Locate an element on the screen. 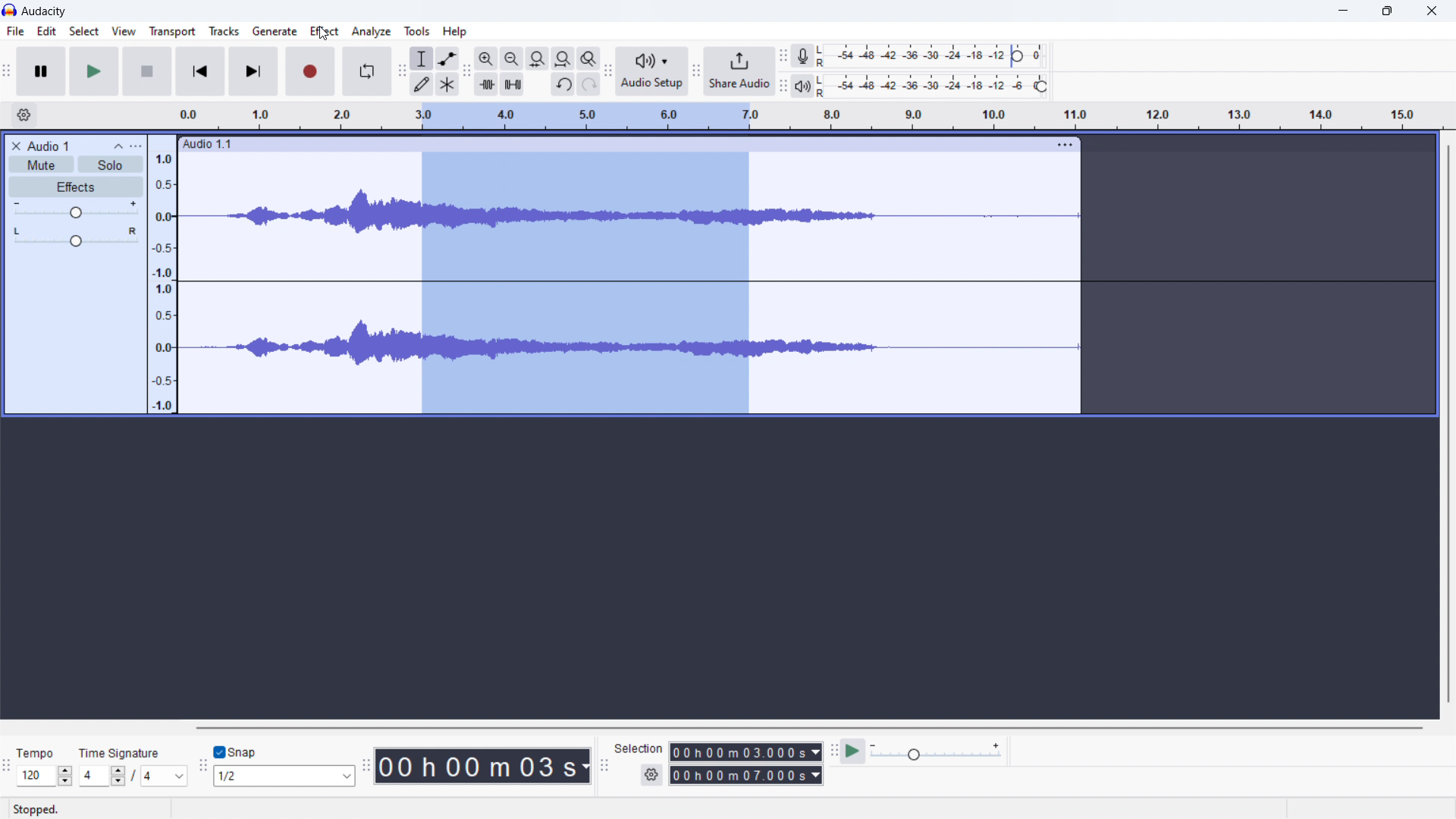 Image resolution: width=1456 pixels, height=819 pixels. Audio 1 is located at coordinates (49, 145).